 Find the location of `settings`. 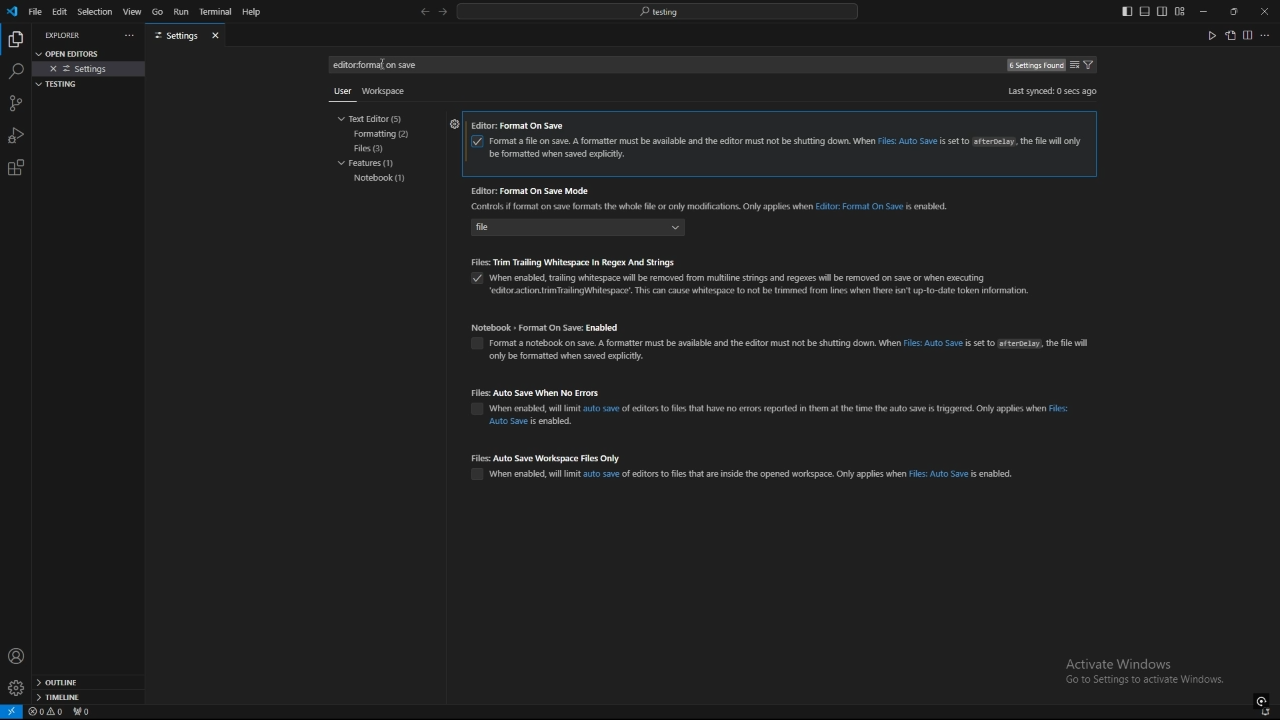

settings is located at coordinates (176, 36).